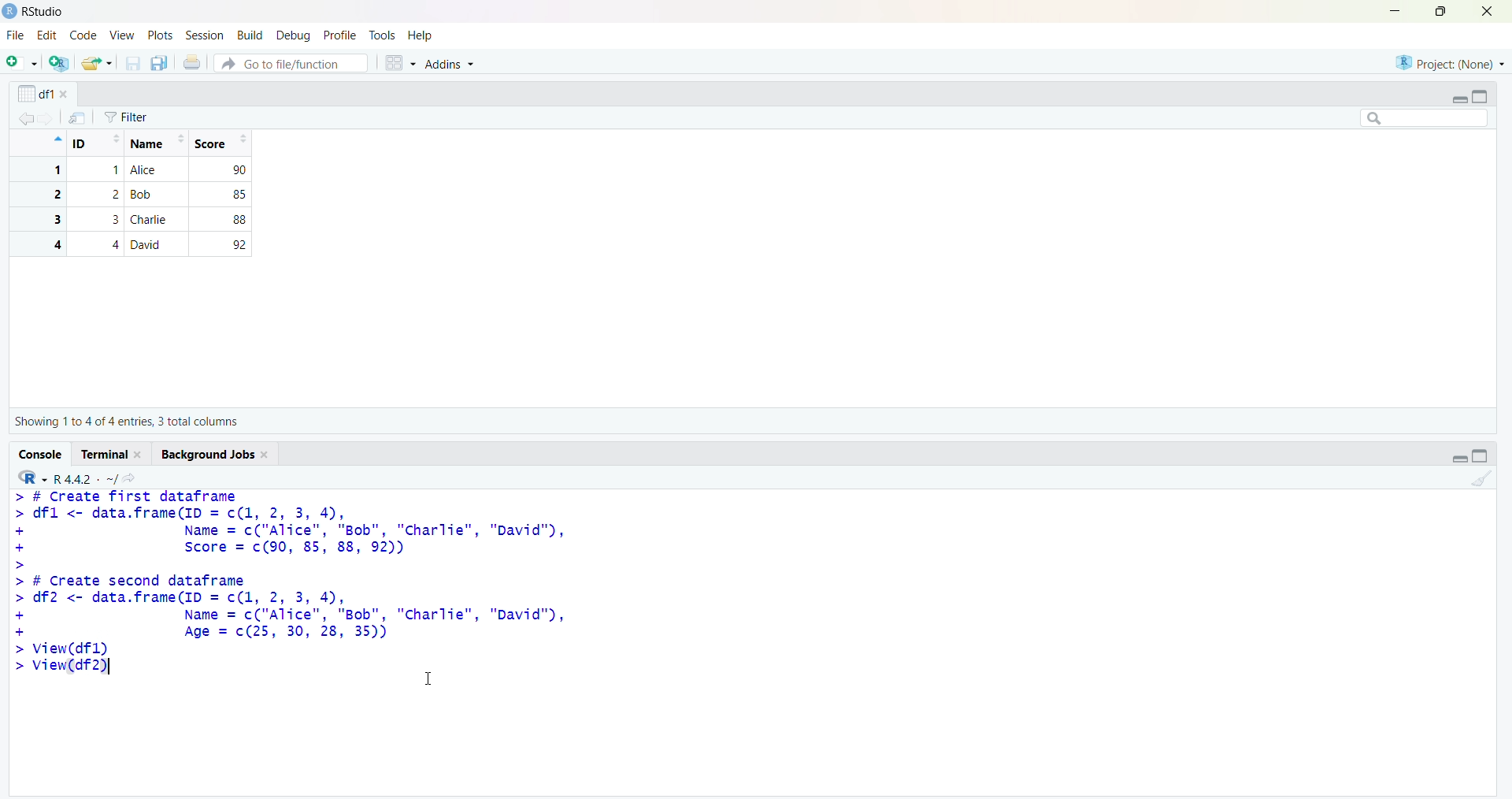 The width and height of the screenshot is (1512, 799). I want to click on Name, so click(156, 143).